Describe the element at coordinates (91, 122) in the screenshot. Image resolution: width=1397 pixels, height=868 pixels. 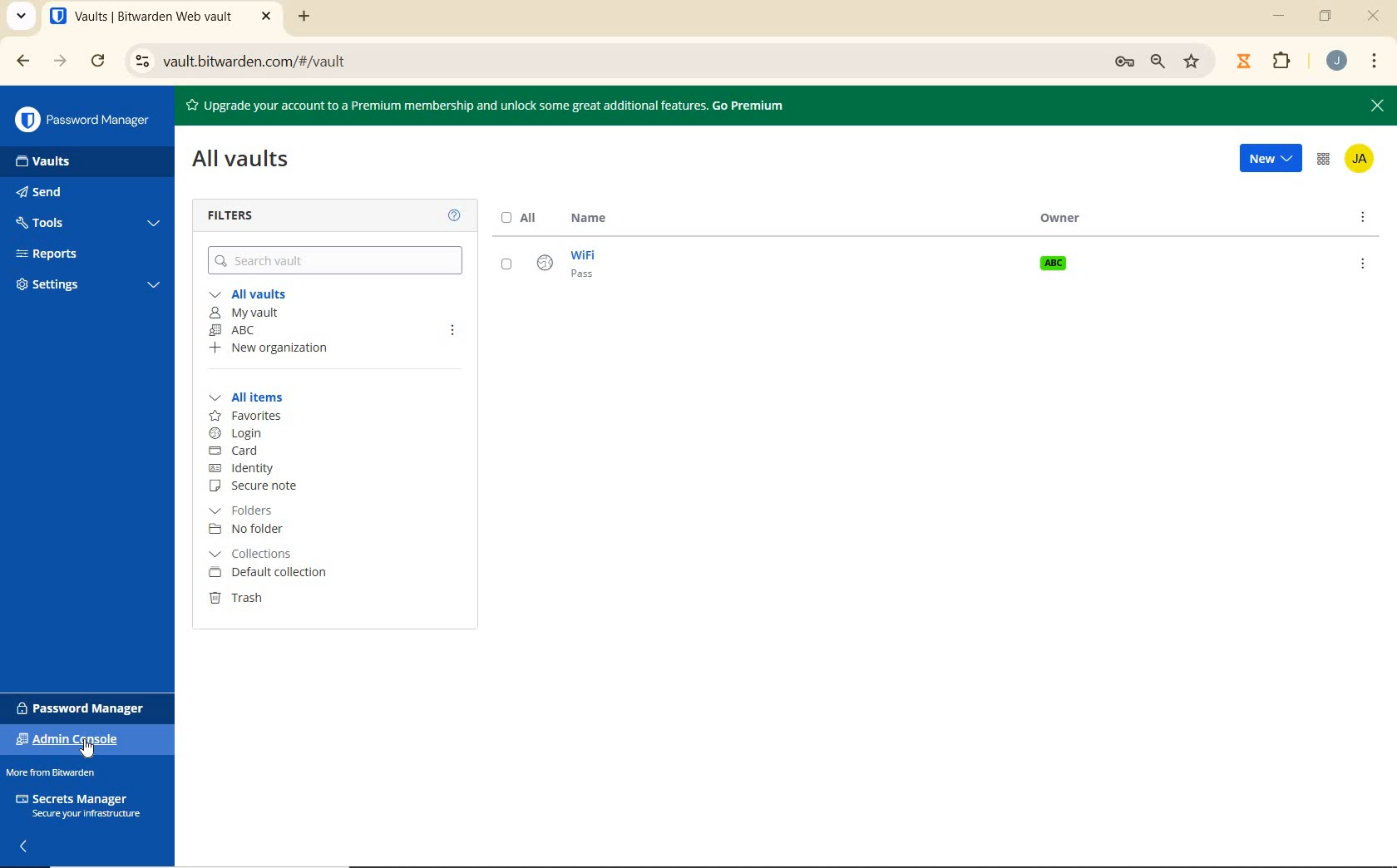
I see `PASSWORD MANAGER` at that location.